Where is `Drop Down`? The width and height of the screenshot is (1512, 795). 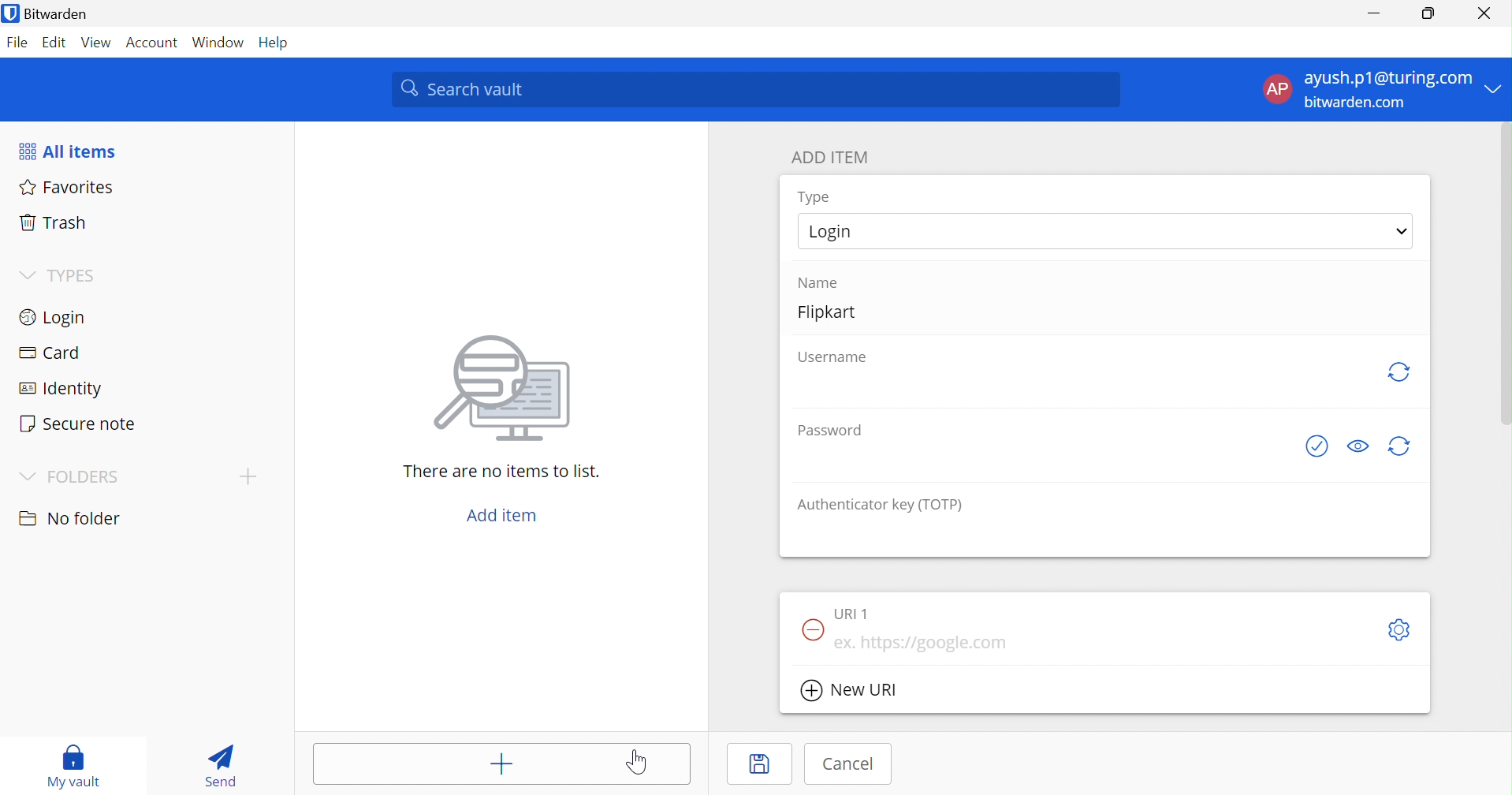
Drop Down is located at coordinates (28, 477).